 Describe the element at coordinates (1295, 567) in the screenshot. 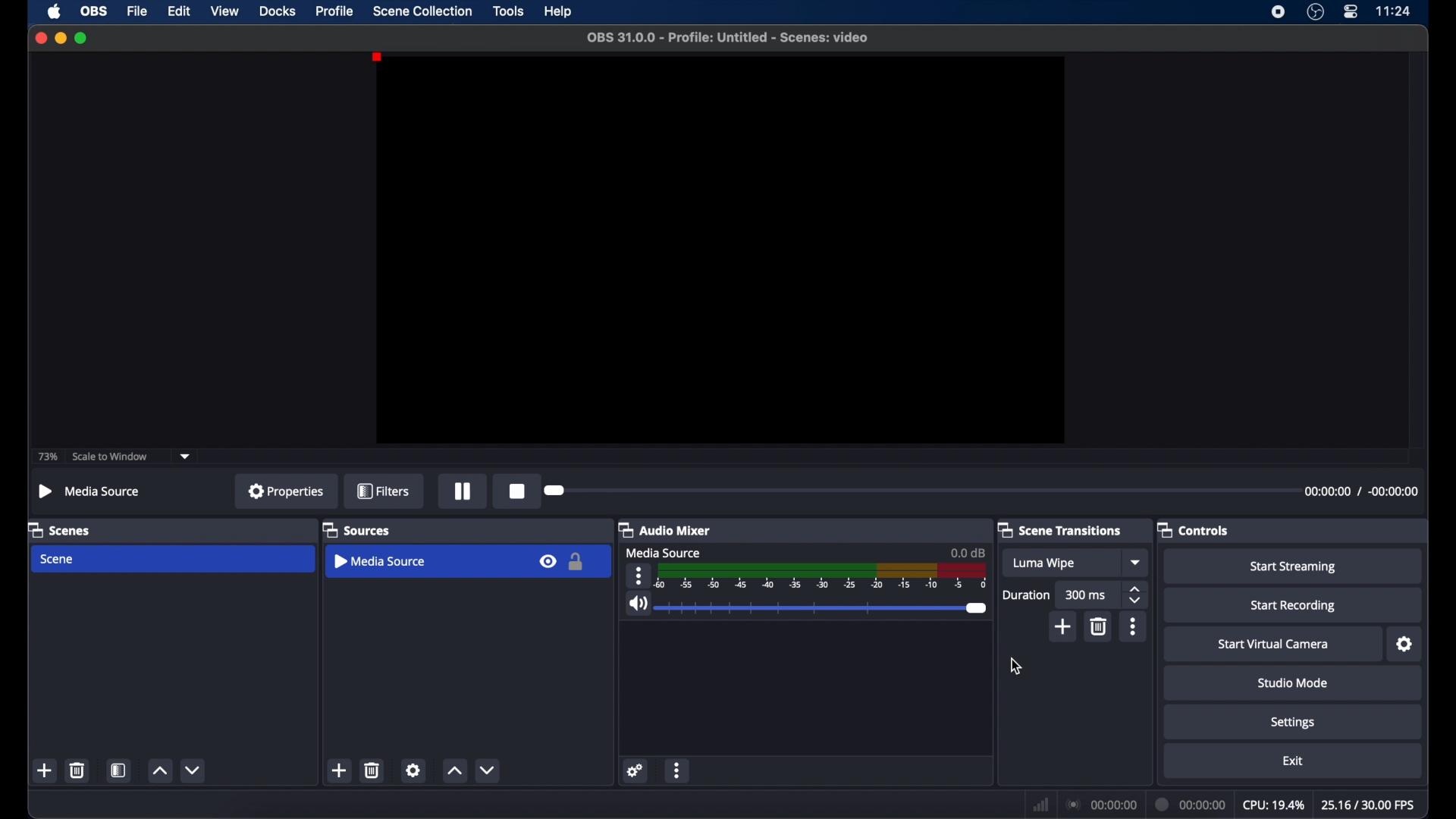

I see `start streaming` at that location.